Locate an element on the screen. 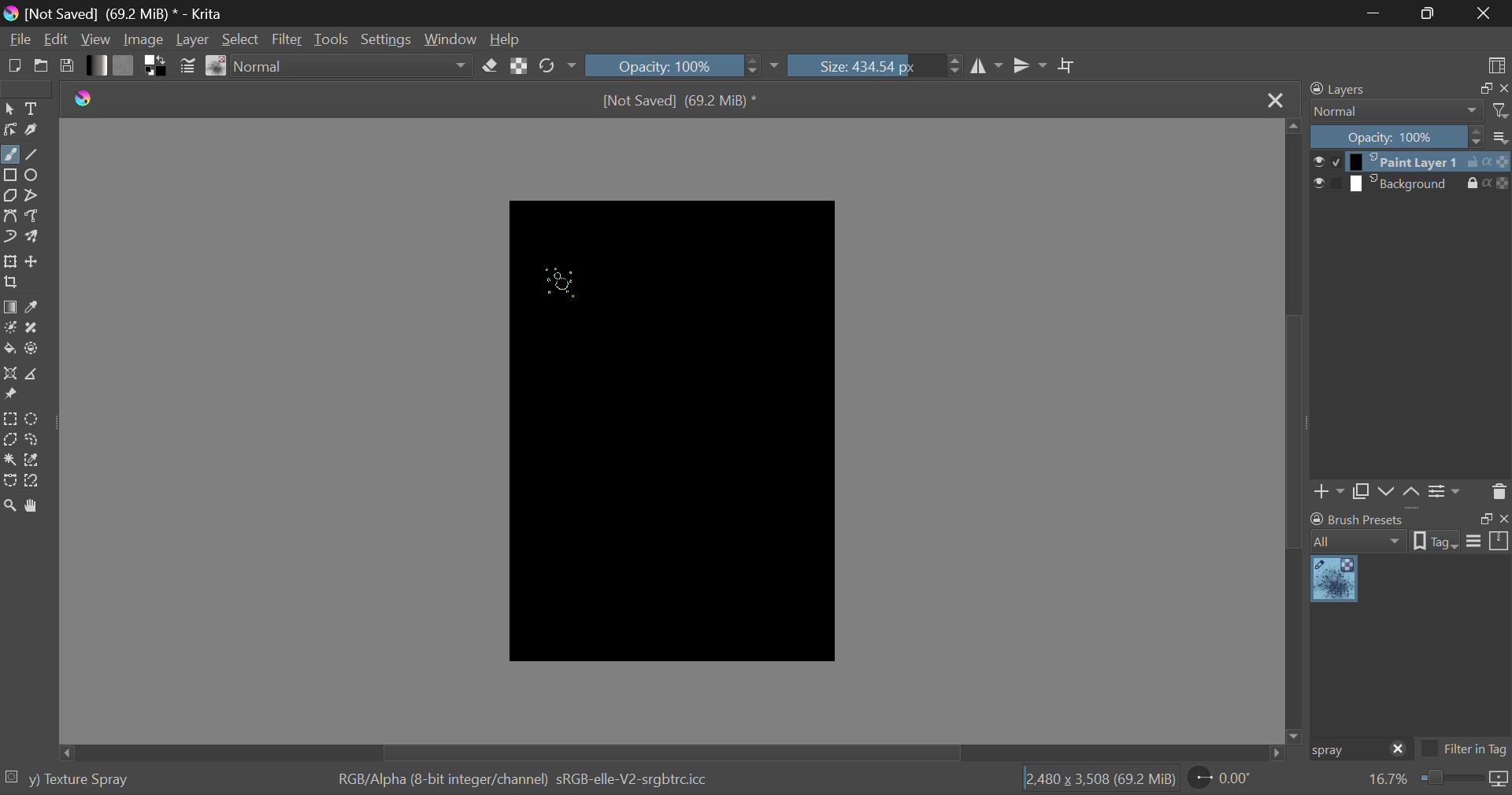 The width and height of the screenshot is (1512, 795). tag is located at coordinates (1436, 543).